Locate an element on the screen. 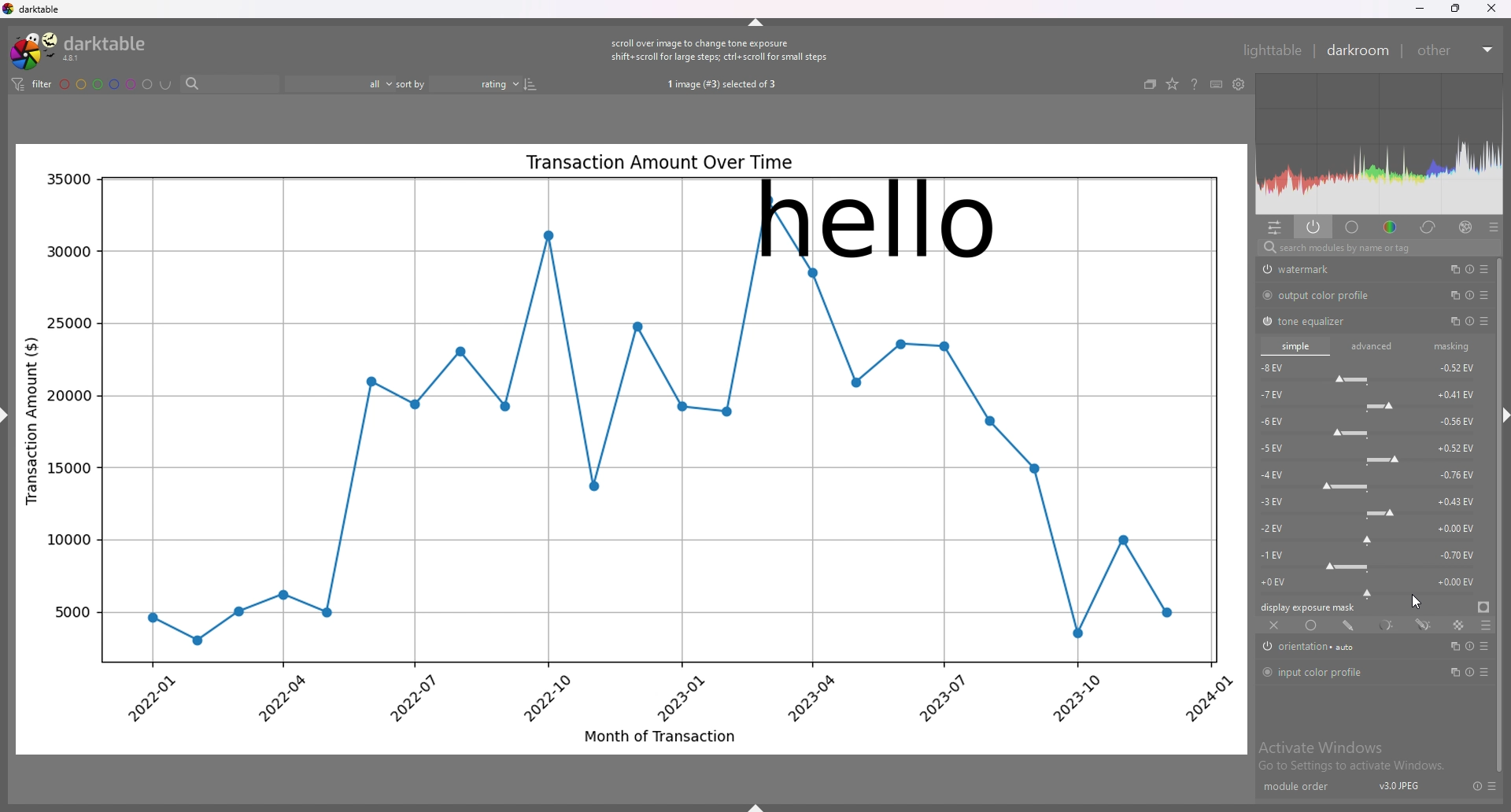 The width and height of the screenshot is (1511, 812). display exposure mask is located at coordinates (1483, 607).